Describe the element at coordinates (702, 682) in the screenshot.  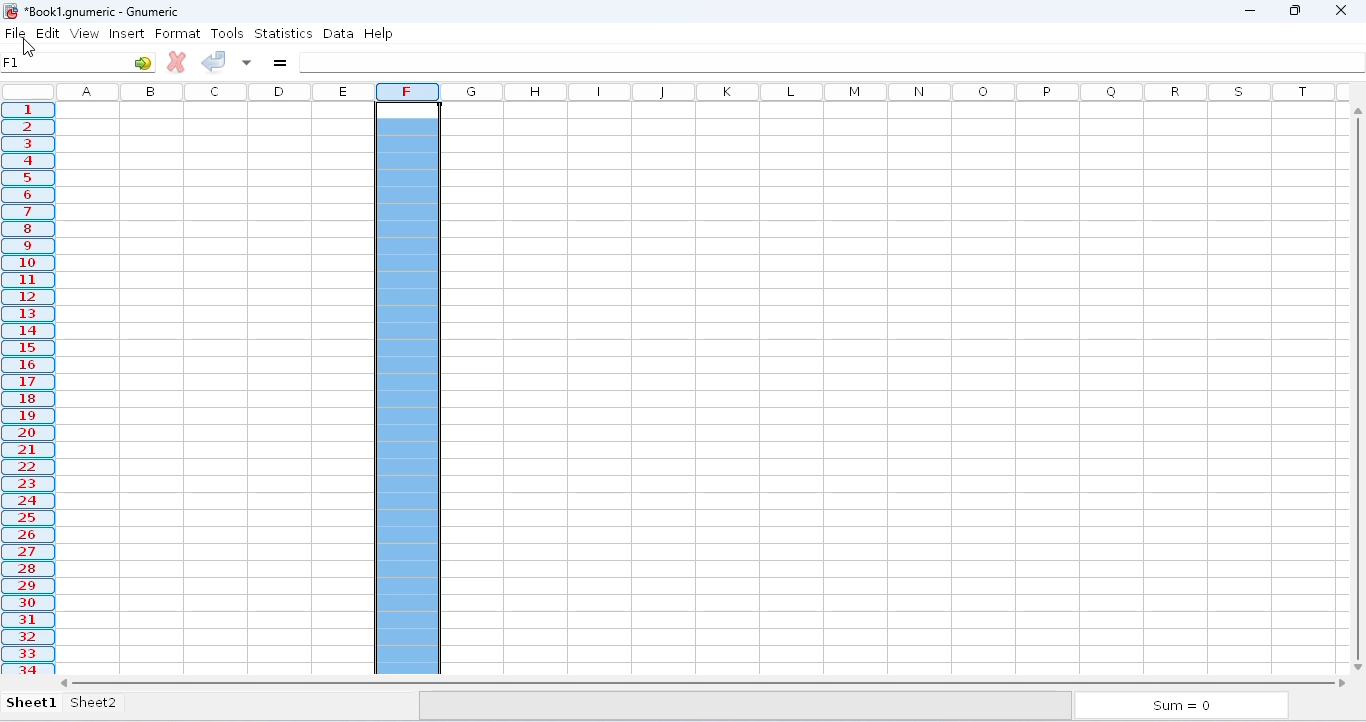
I see `horizontal scroll bar` at that location.